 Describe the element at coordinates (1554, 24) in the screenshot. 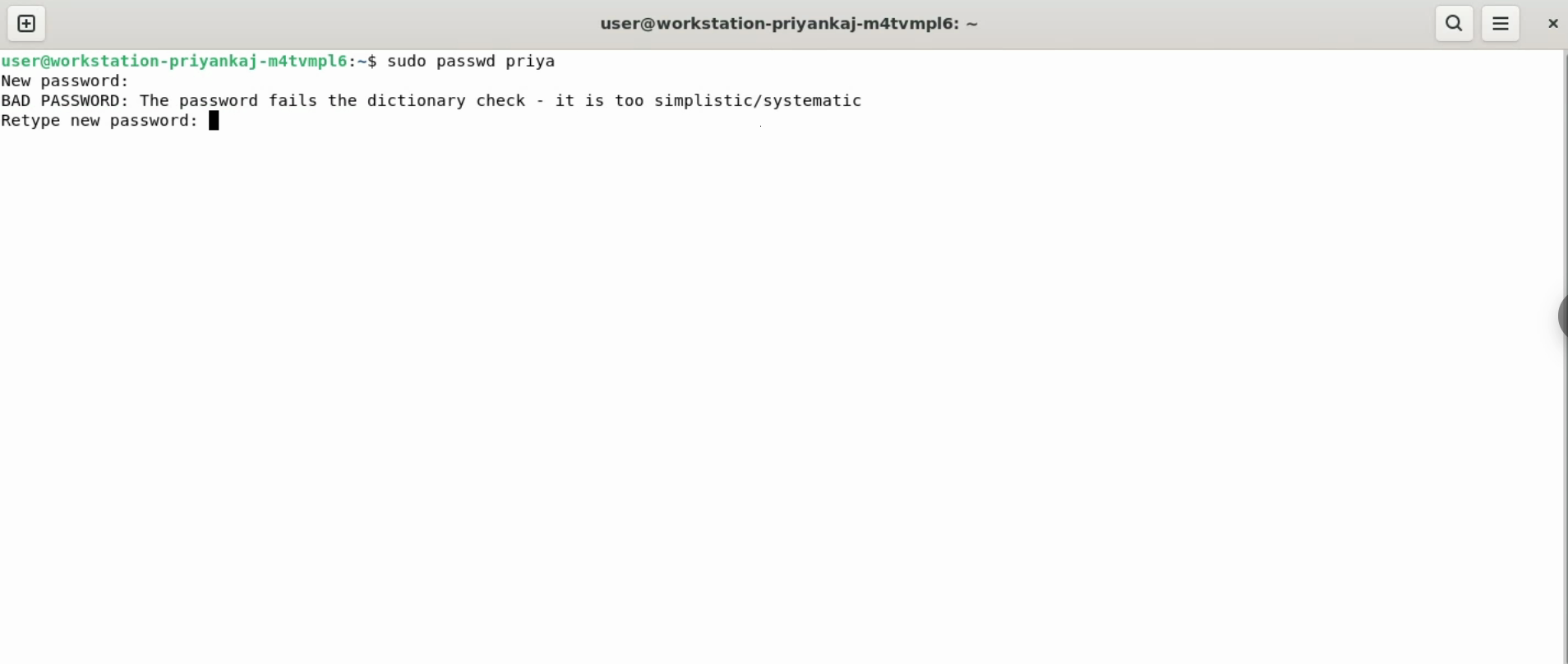

I see `close` at that location.